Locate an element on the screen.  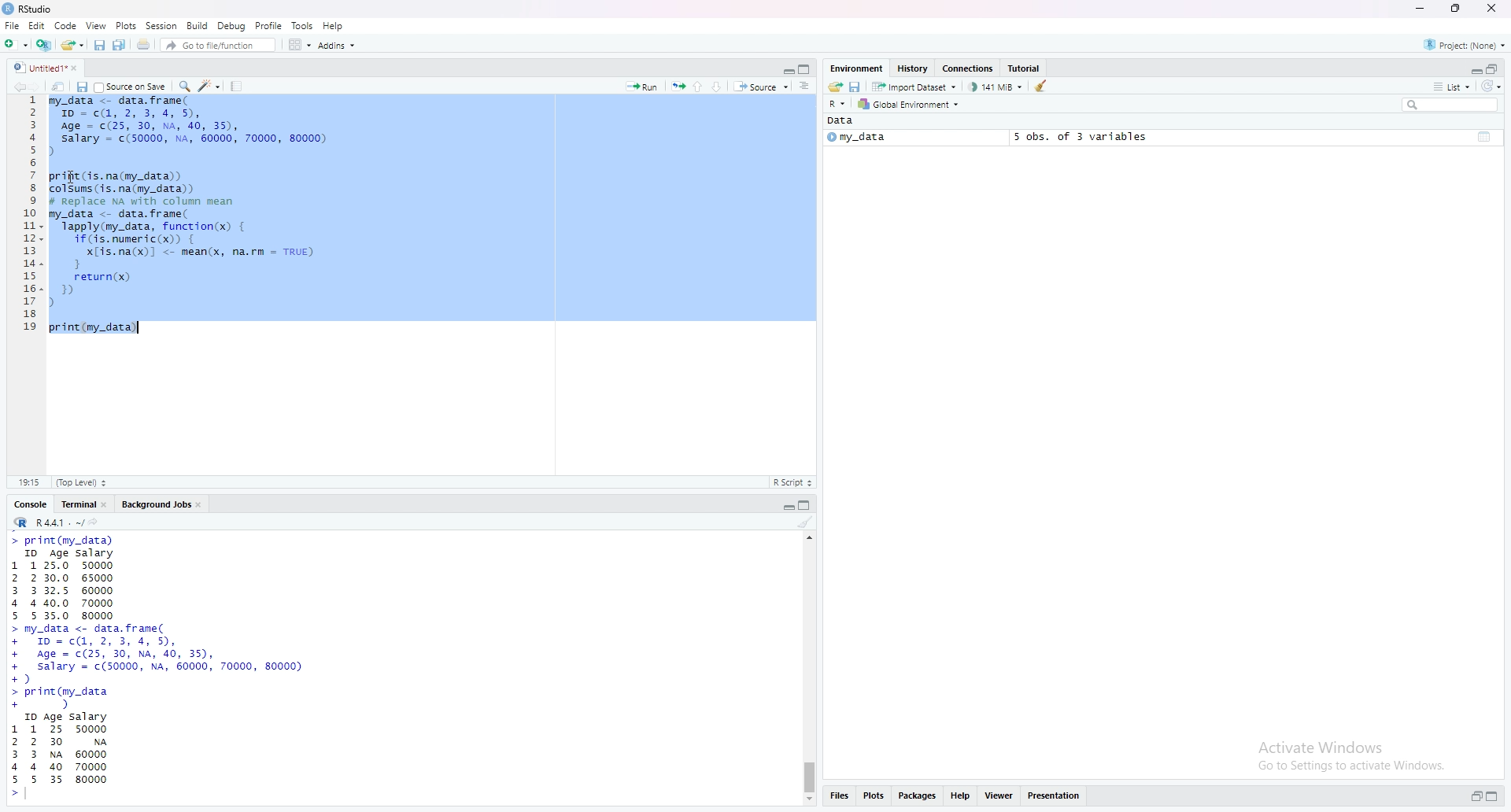
refresh is located at coordinates (1491, 87).